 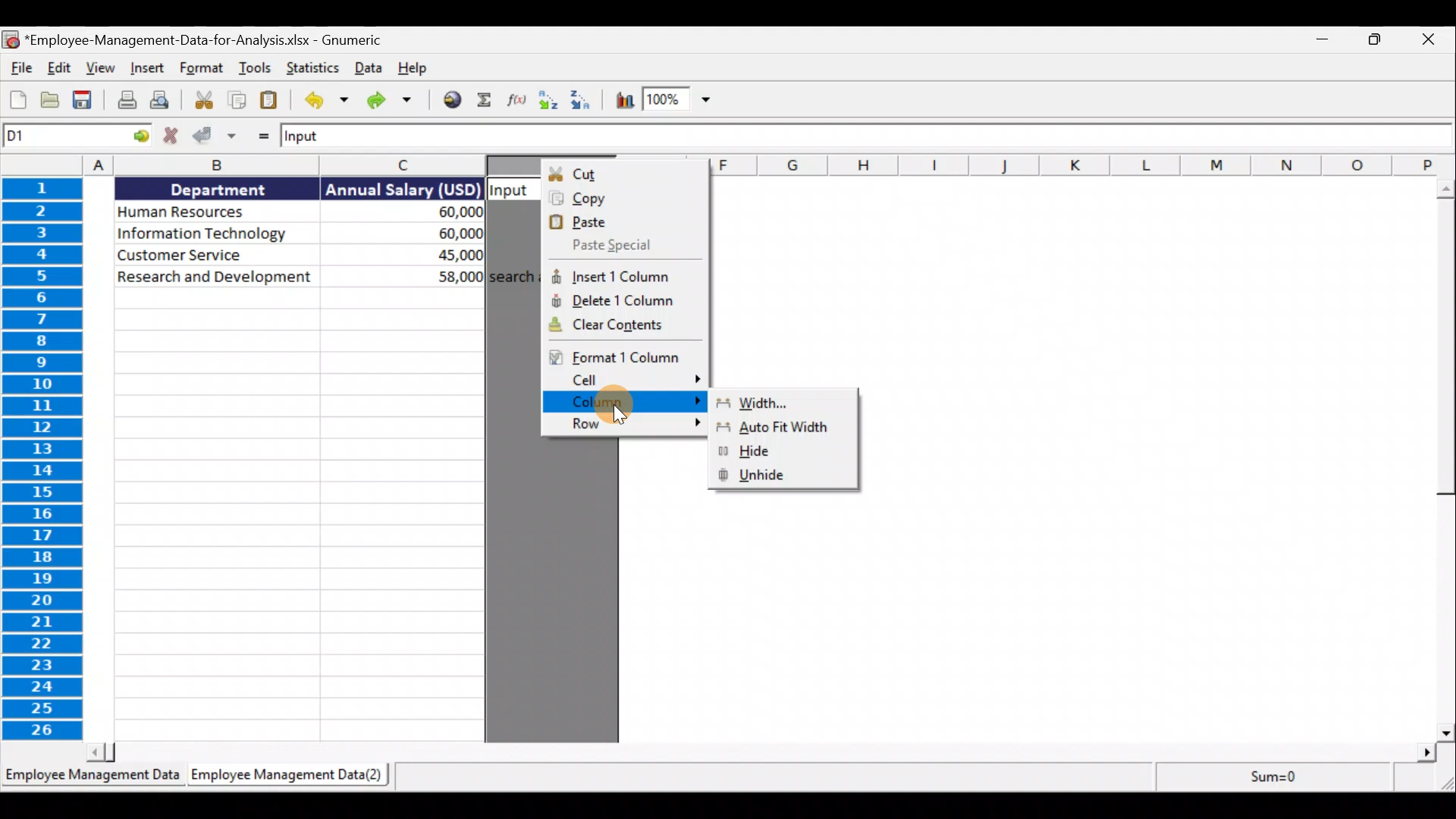 What do you see at coordinates (624, 328) in the screenshot?
I see `Clear contents` at bounding box center [624, 328].